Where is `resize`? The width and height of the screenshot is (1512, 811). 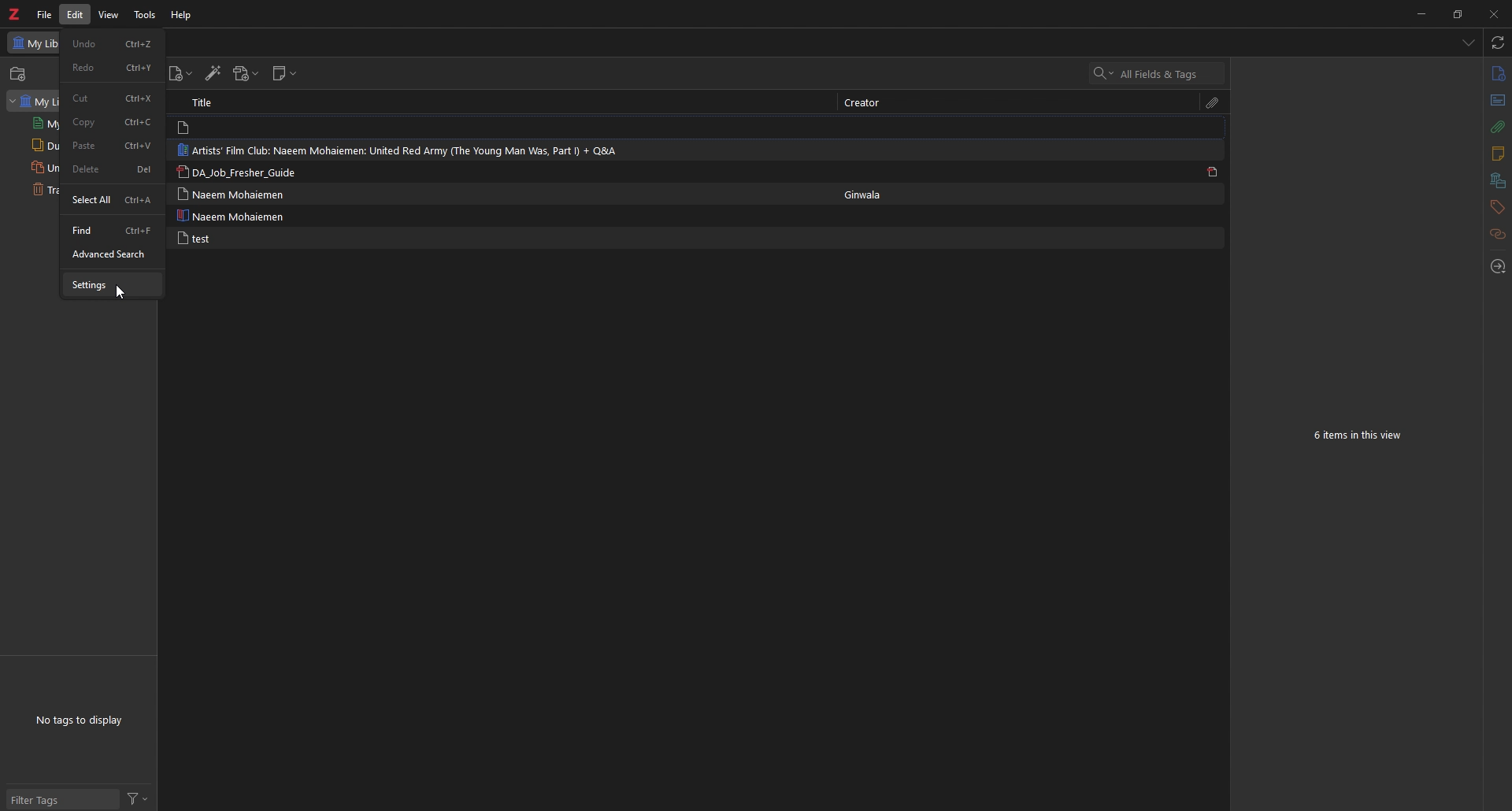
resize is located at coordinates (1457, 13).